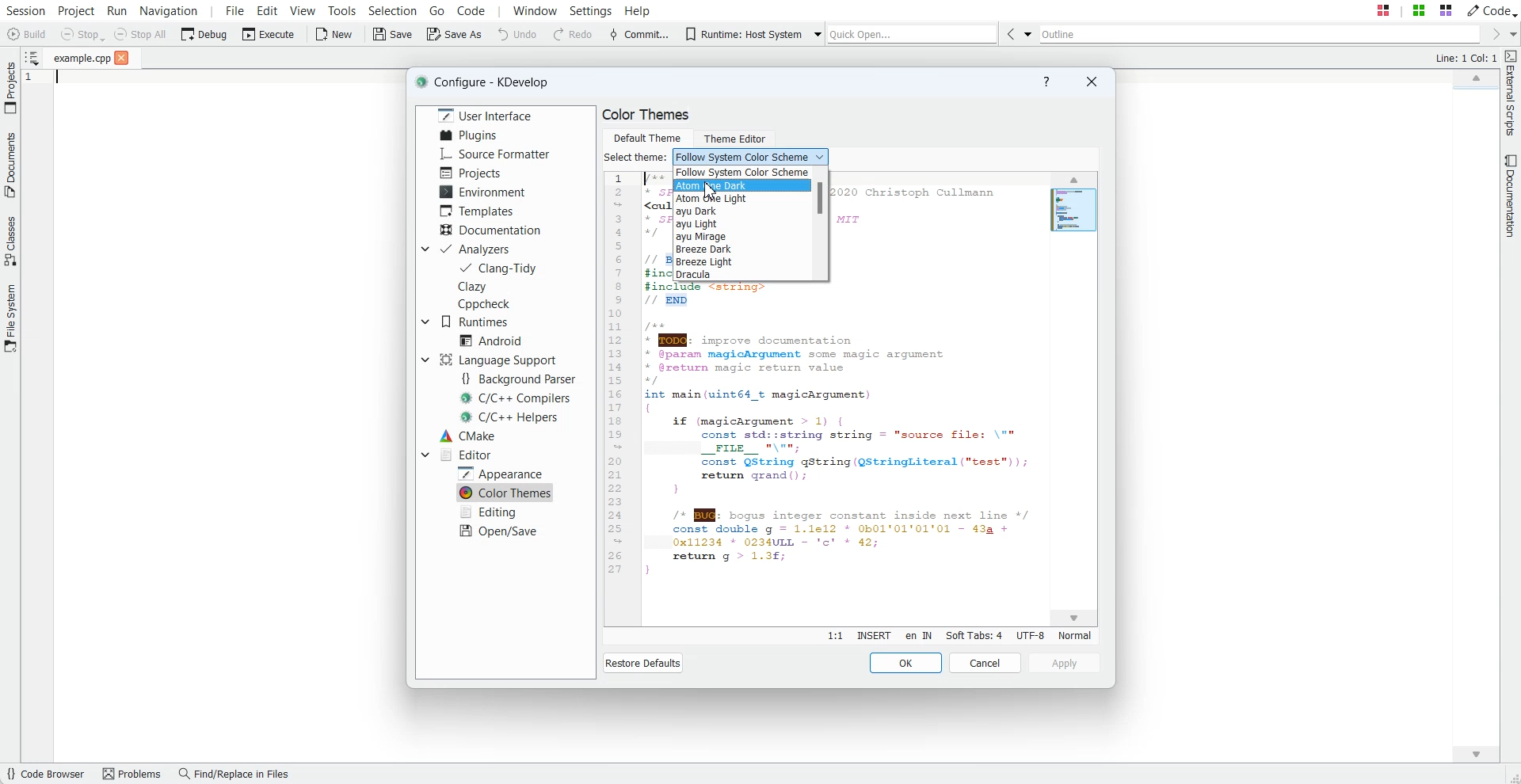  What do you see at coordinates (906, 663) in the screenshot?
I see `OK` at bounding box center [906, 663].